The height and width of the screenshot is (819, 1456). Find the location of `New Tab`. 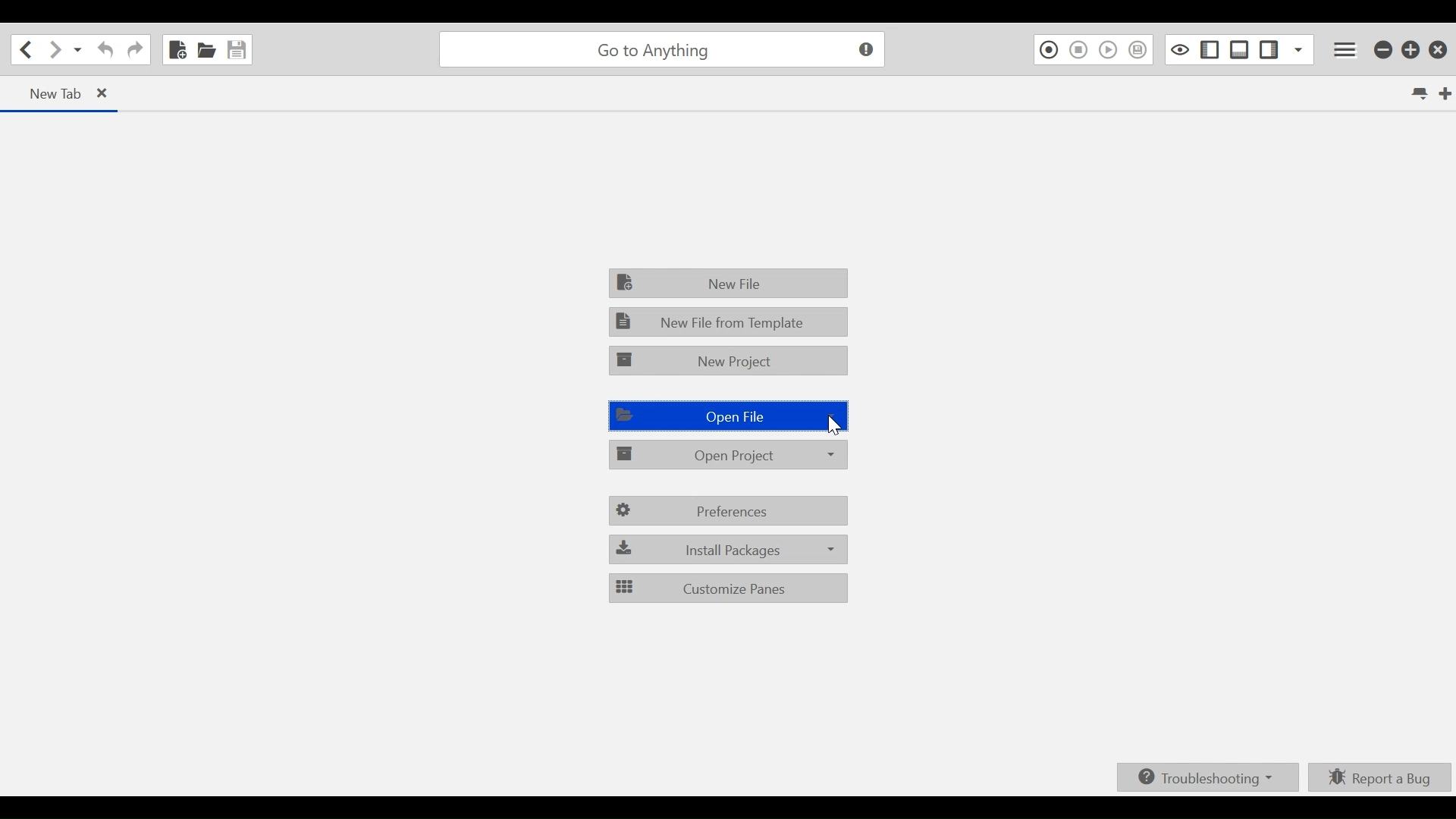

New Tab is located at coordinates (62, 93).